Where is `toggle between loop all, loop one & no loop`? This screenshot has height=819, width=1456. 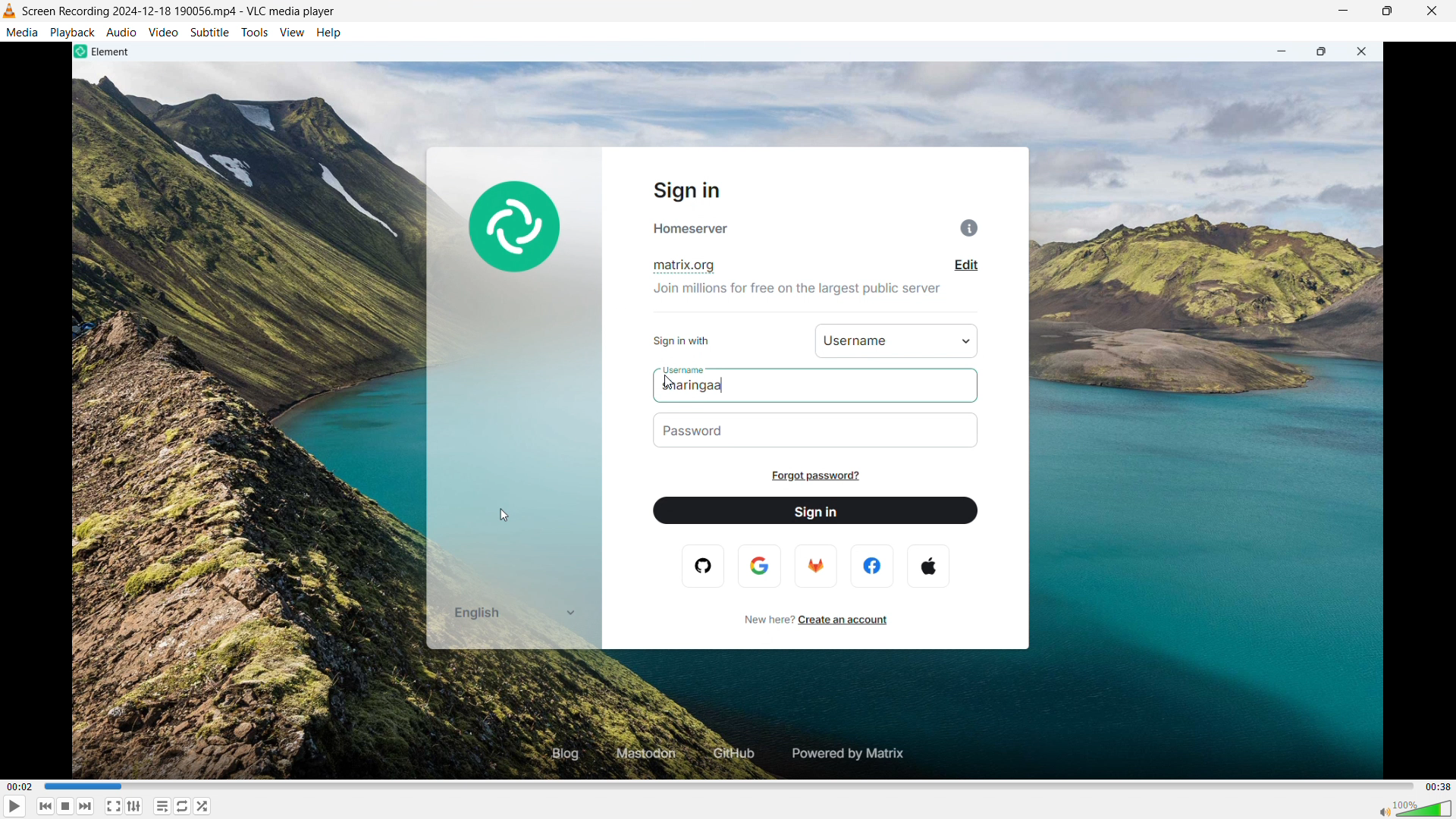
toggle between loop all, loop one & no loop is located at coordinates (183, 806).